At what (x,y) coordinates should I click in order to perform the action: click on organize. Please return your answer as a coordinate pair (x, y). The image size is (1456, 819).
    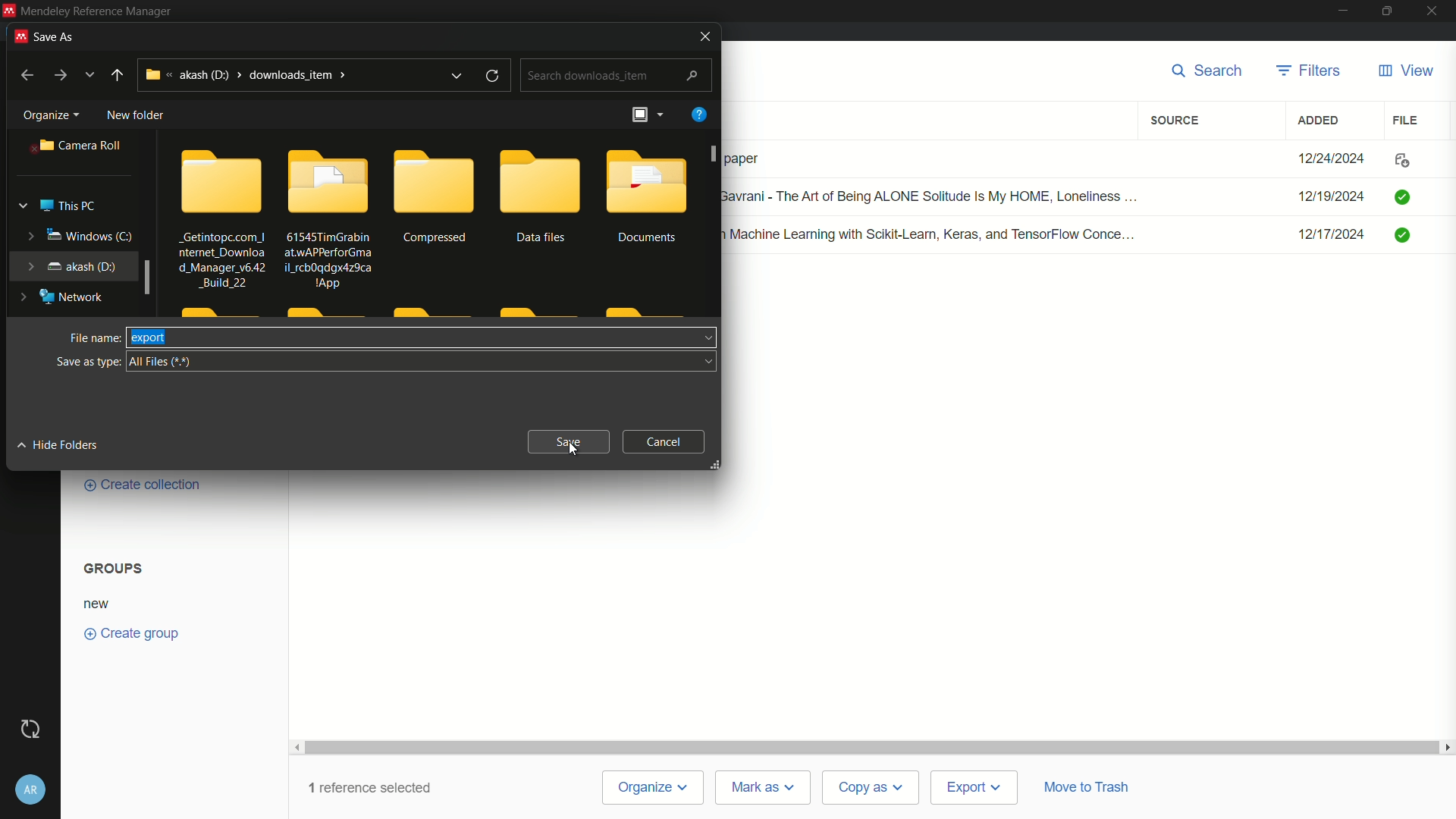
    Looking at the image, I should click on (49, 115).